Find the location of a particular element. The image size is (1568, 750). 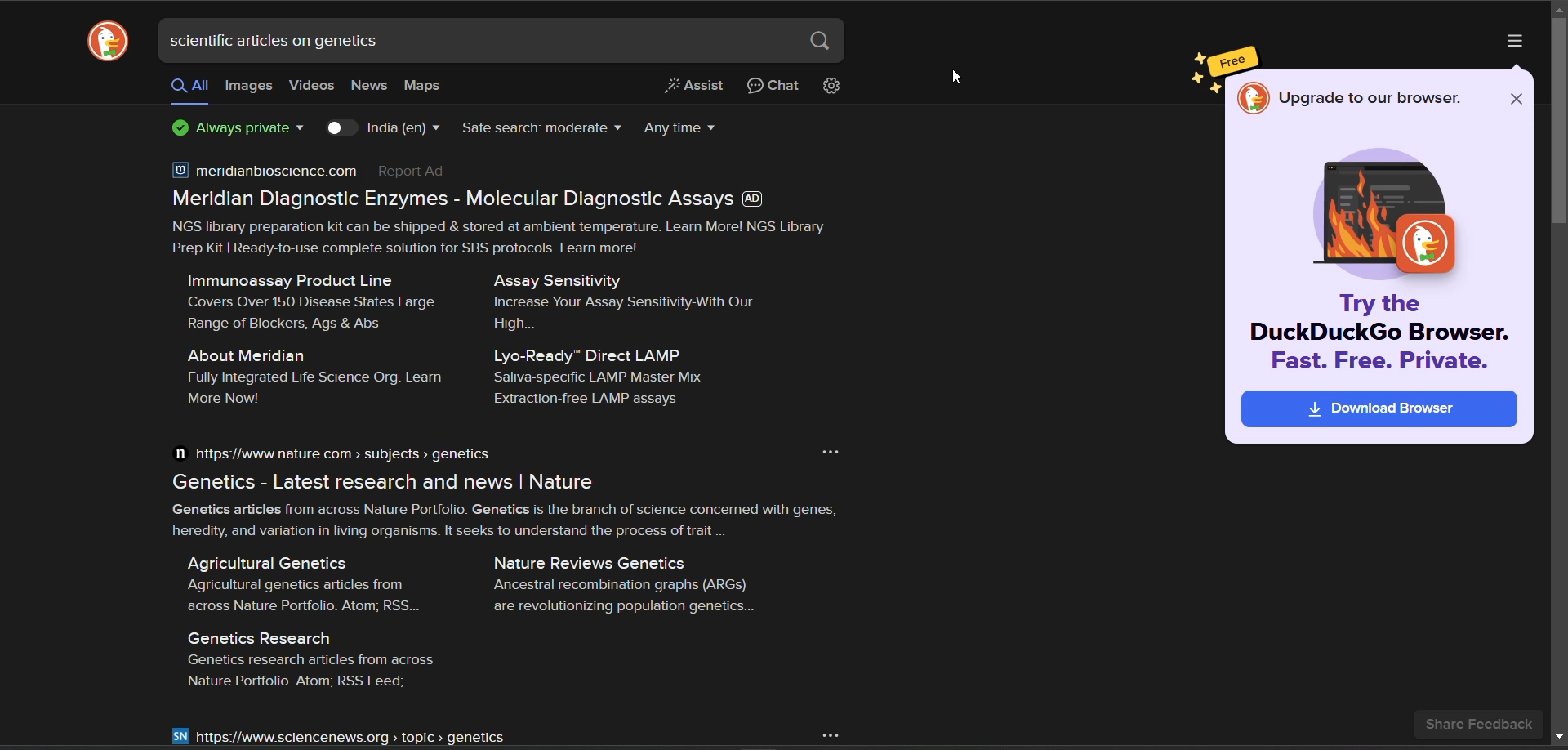

Try the
DuckDuckGo Browser.
Fast. Free. Private. is located at coordinates (1379, 362).